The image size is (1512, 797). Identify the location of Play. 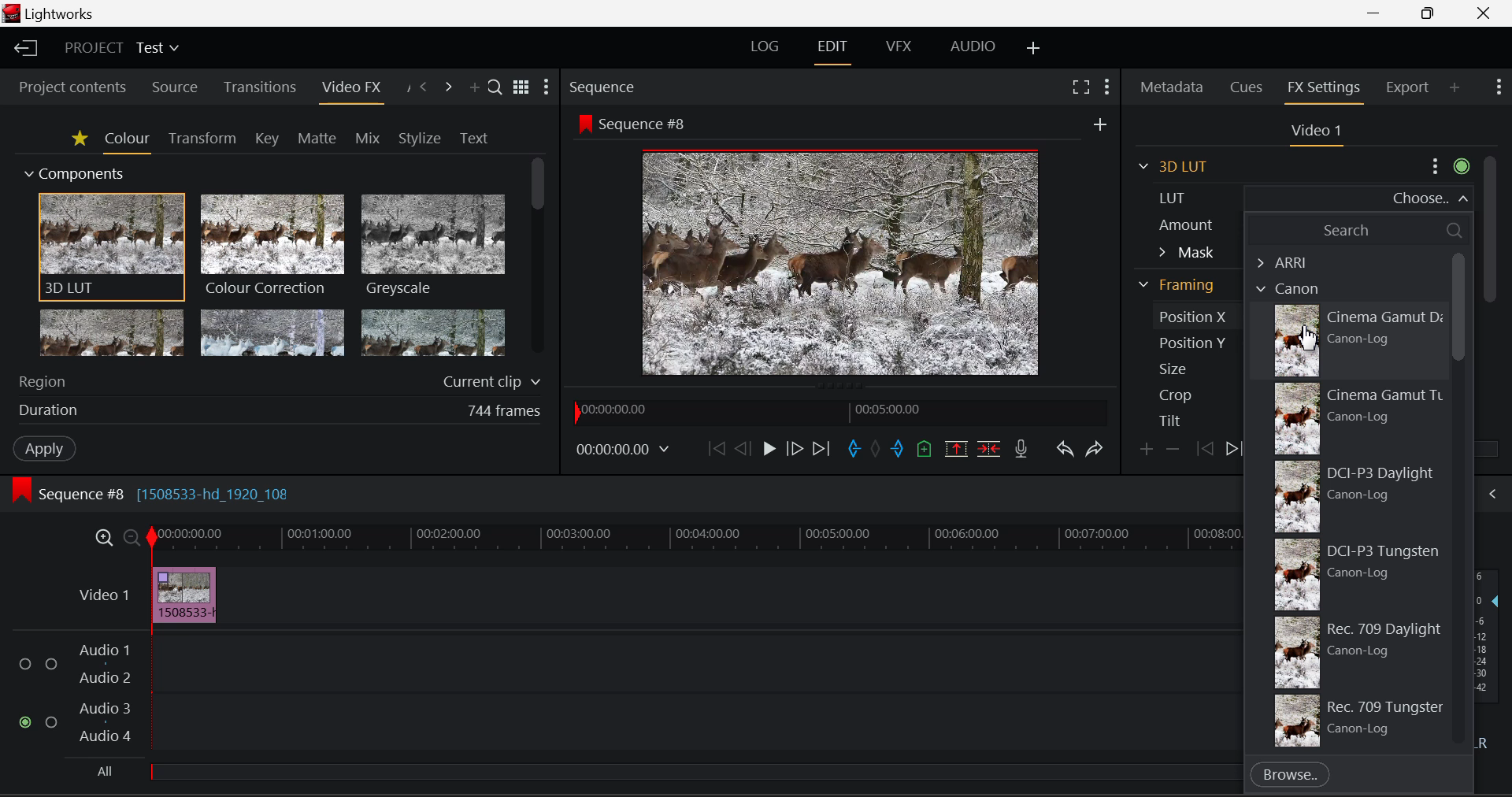
(767, 449).